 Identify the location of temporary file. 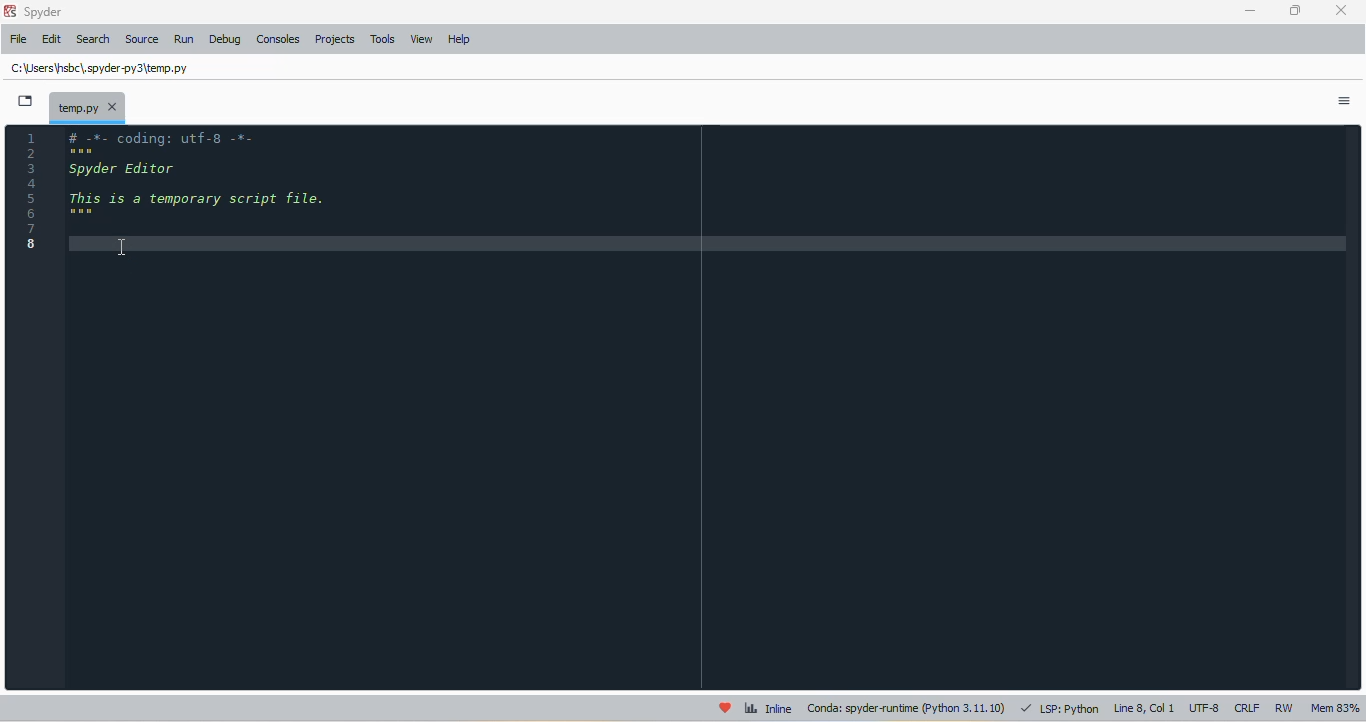
(101, 67).